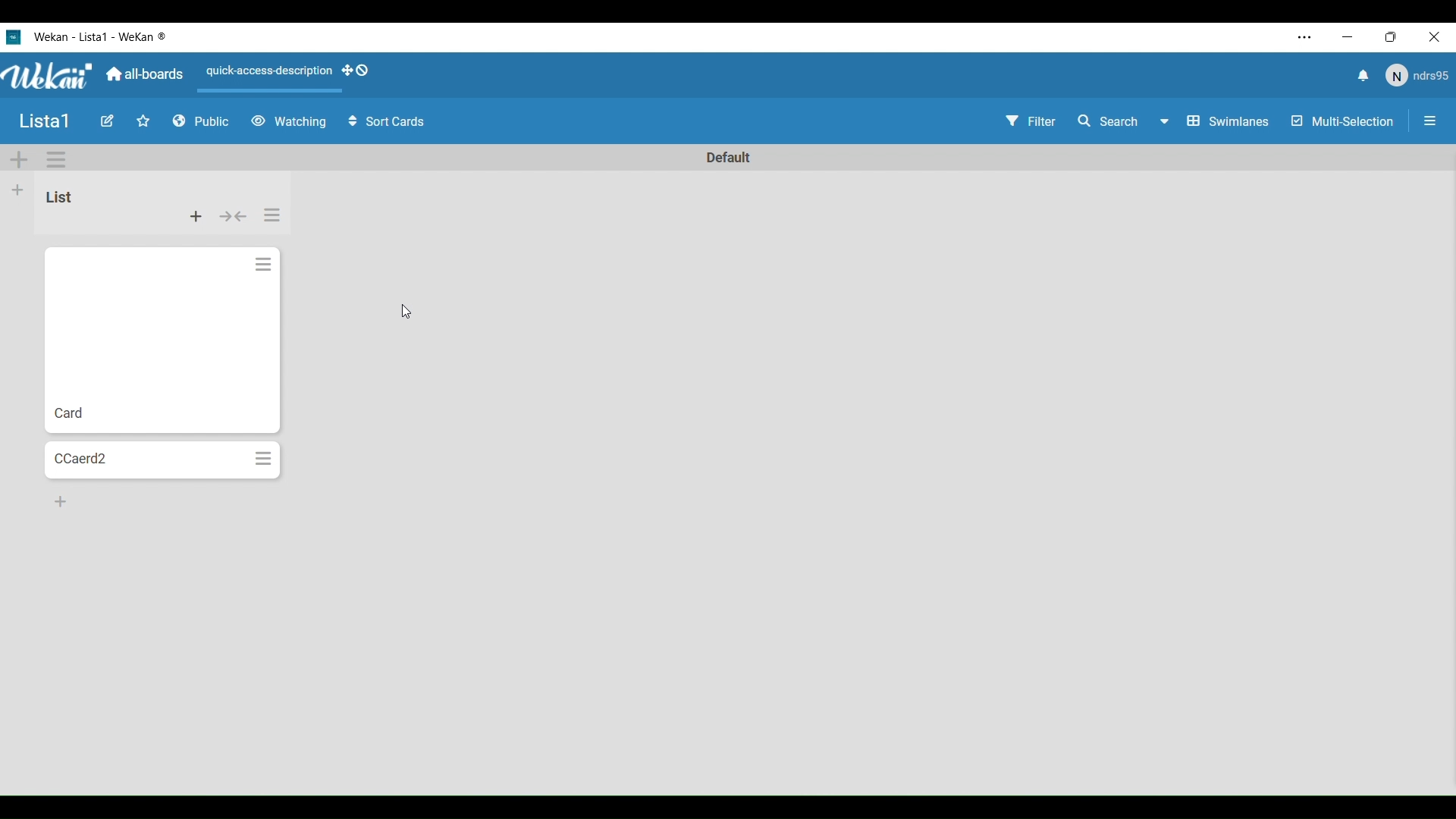 This screenshot has width=1456, height=819. What do you see at coordinates (293, 75) in the screenshot?
I see `Actions` at bounding box center [293, 75].